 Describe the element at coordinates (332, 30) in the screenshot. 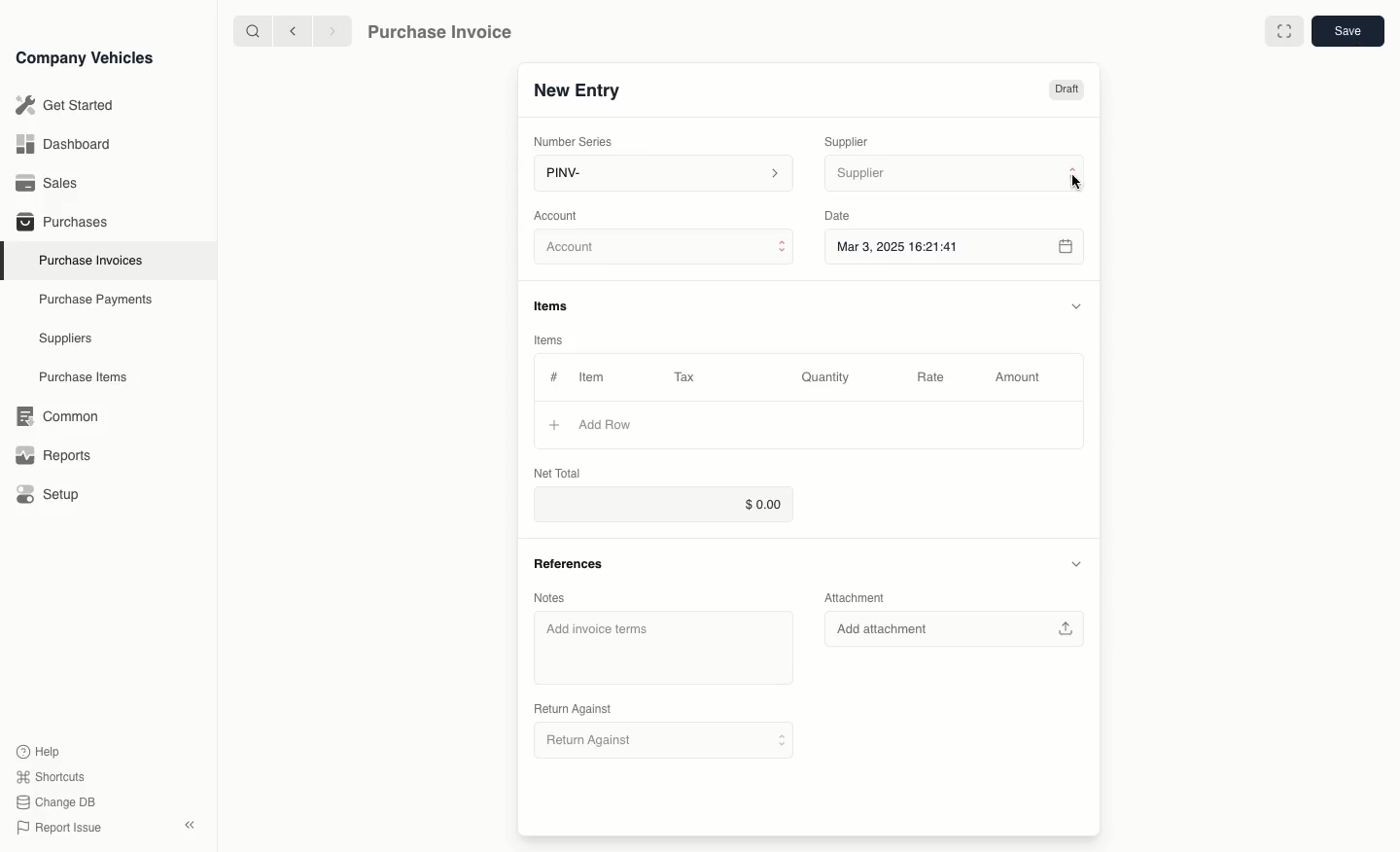

I see `next` at that location.